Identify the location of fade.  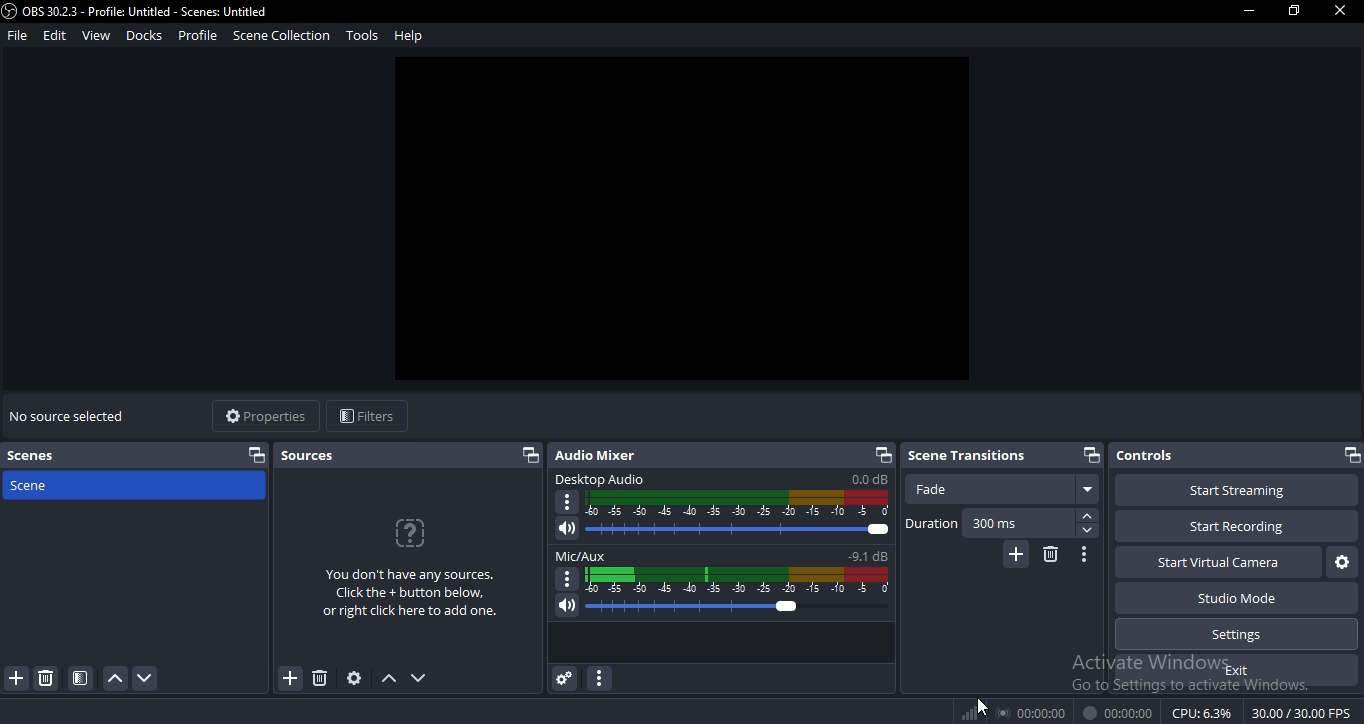
(1004, 489).